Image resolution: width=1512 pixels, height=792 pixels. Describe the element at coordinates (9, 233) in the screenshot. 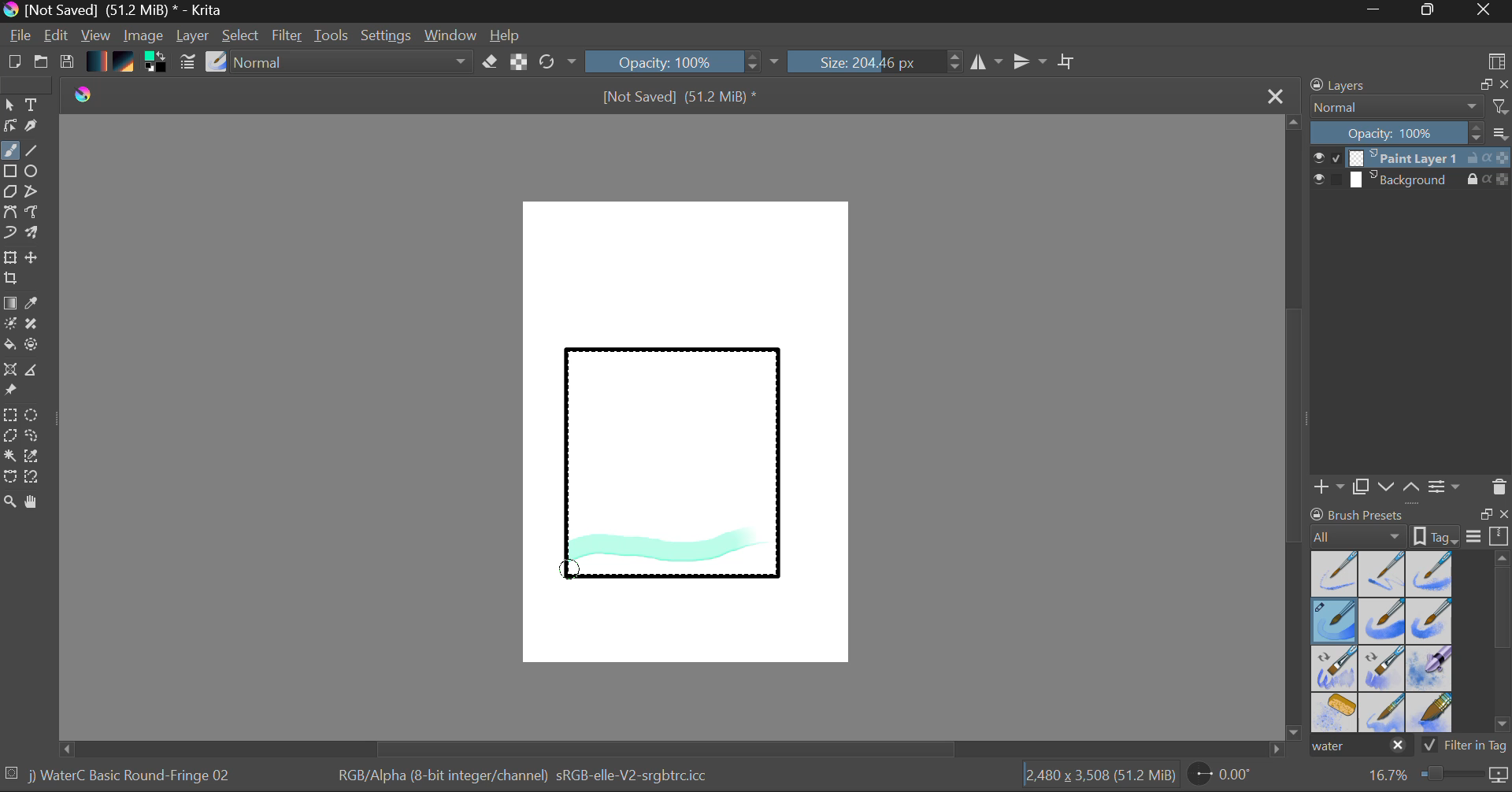

I see `Dynamic Brush` at that location.